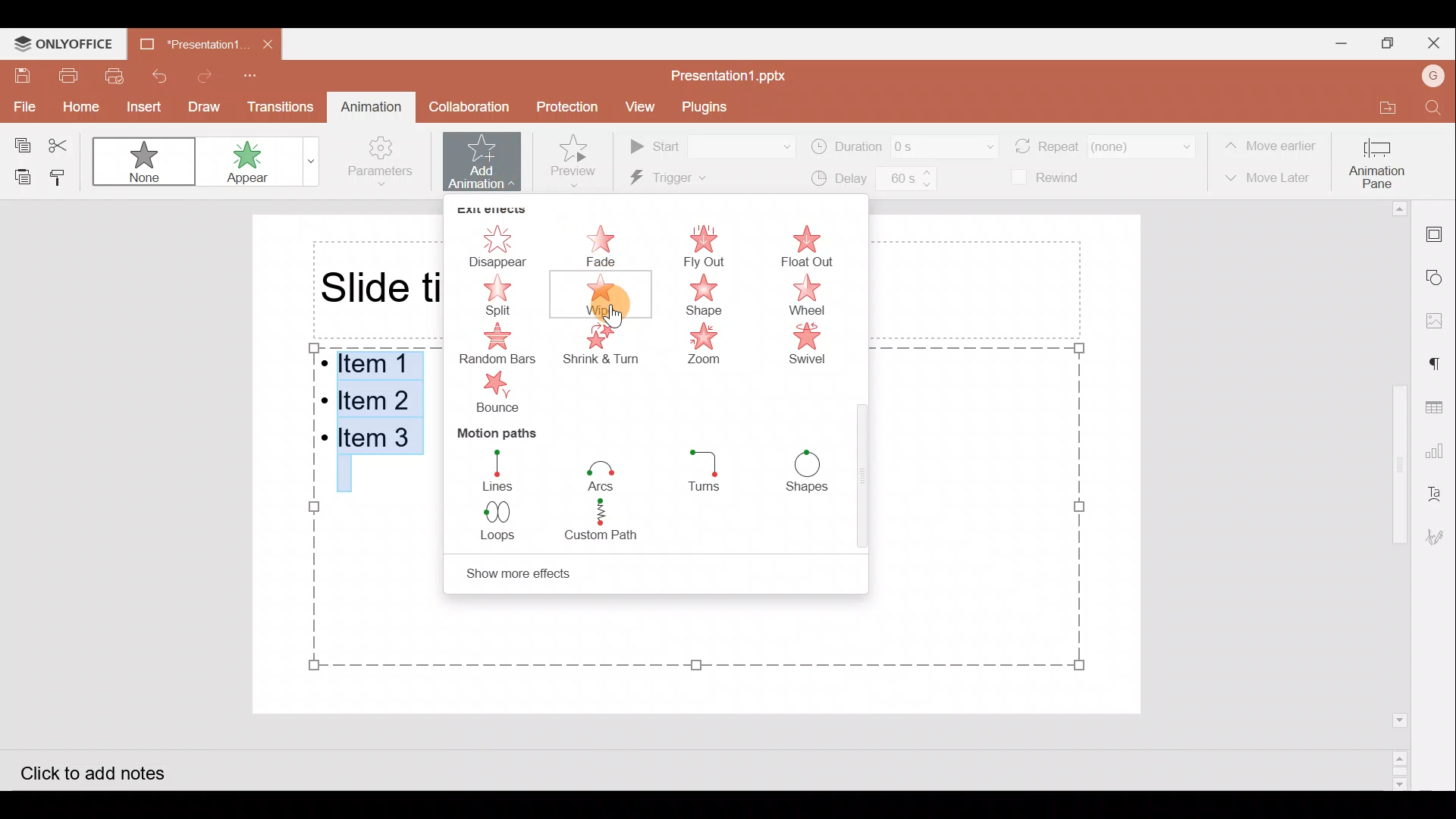 Image resolution: width=1456 pixels, height=819 pixels. Describe the element at coordinates (495, 207) in the screenshot. I see `Exit effects` at that location.